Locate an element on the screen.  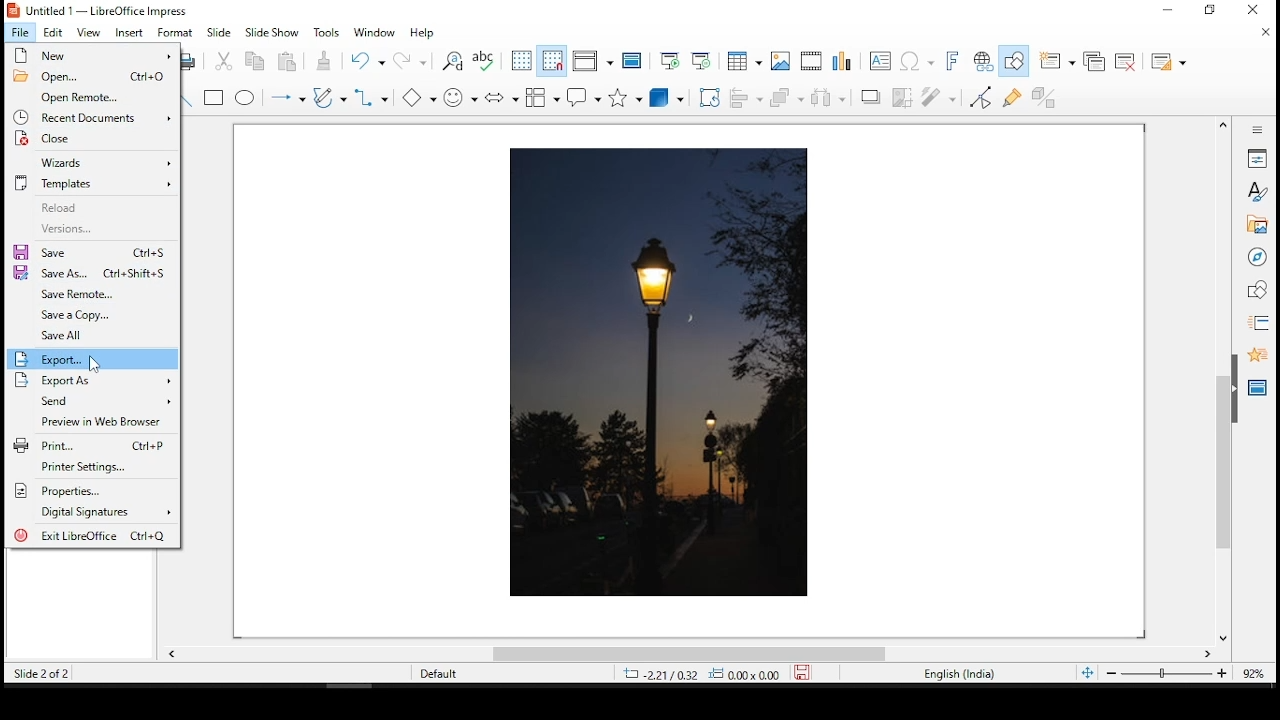
reload is located at coordinates (89, 206).